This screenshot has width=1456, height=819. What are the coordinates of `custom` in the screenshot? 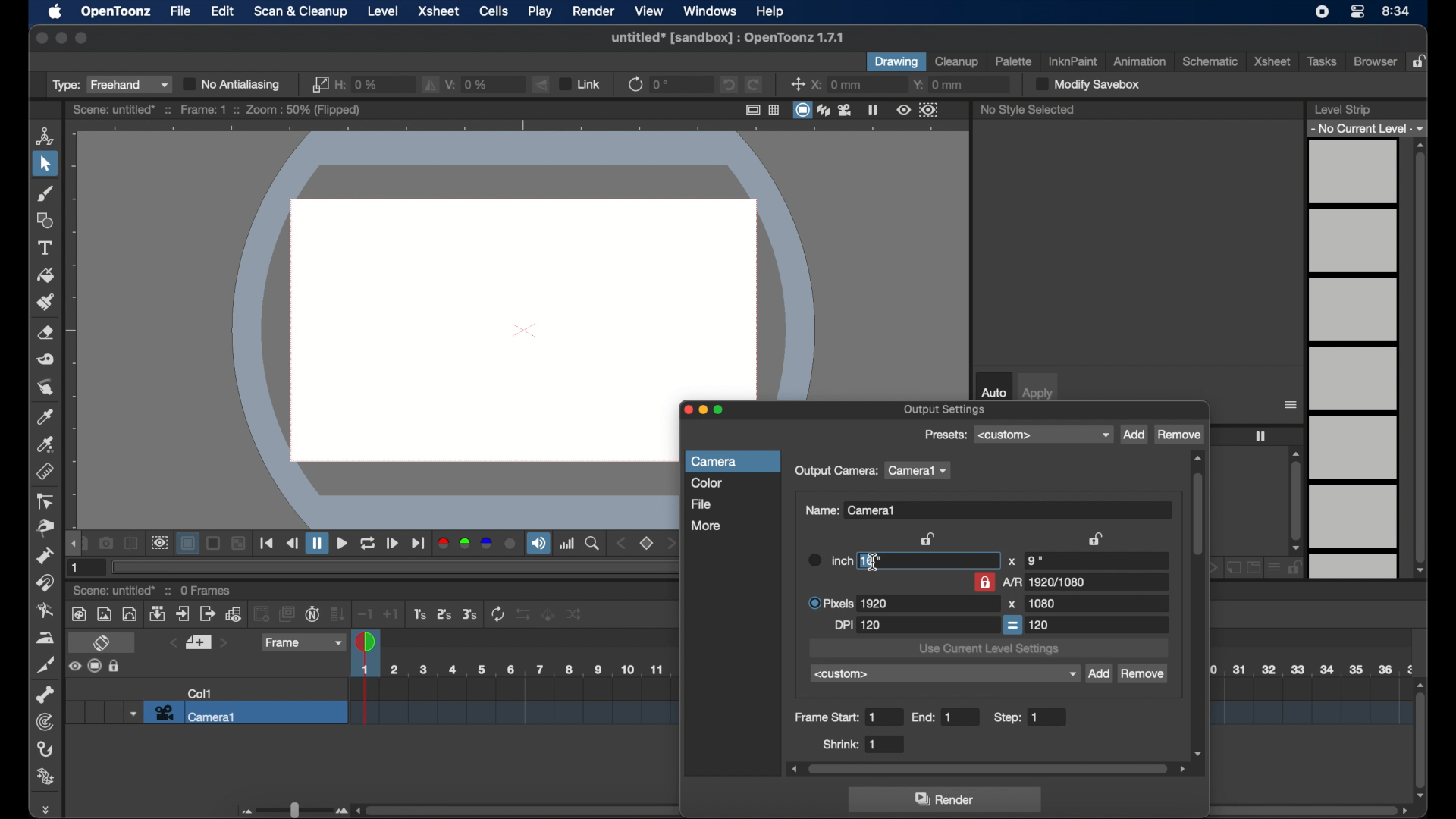 It's located at (945, 674).